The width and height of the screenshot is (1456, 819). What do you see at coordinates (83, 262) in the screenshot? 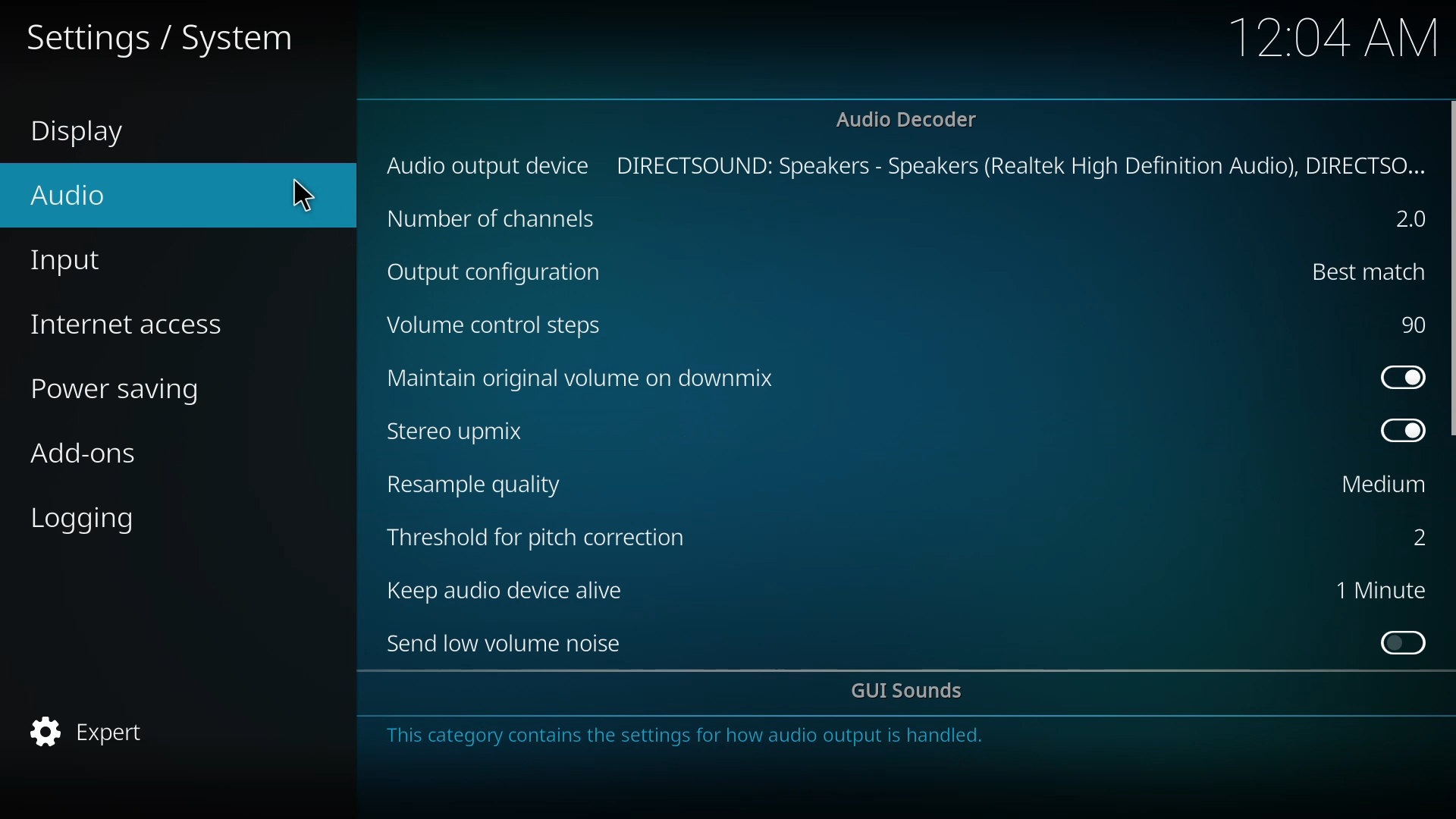
I see `input` at bounding box center [83, 262].